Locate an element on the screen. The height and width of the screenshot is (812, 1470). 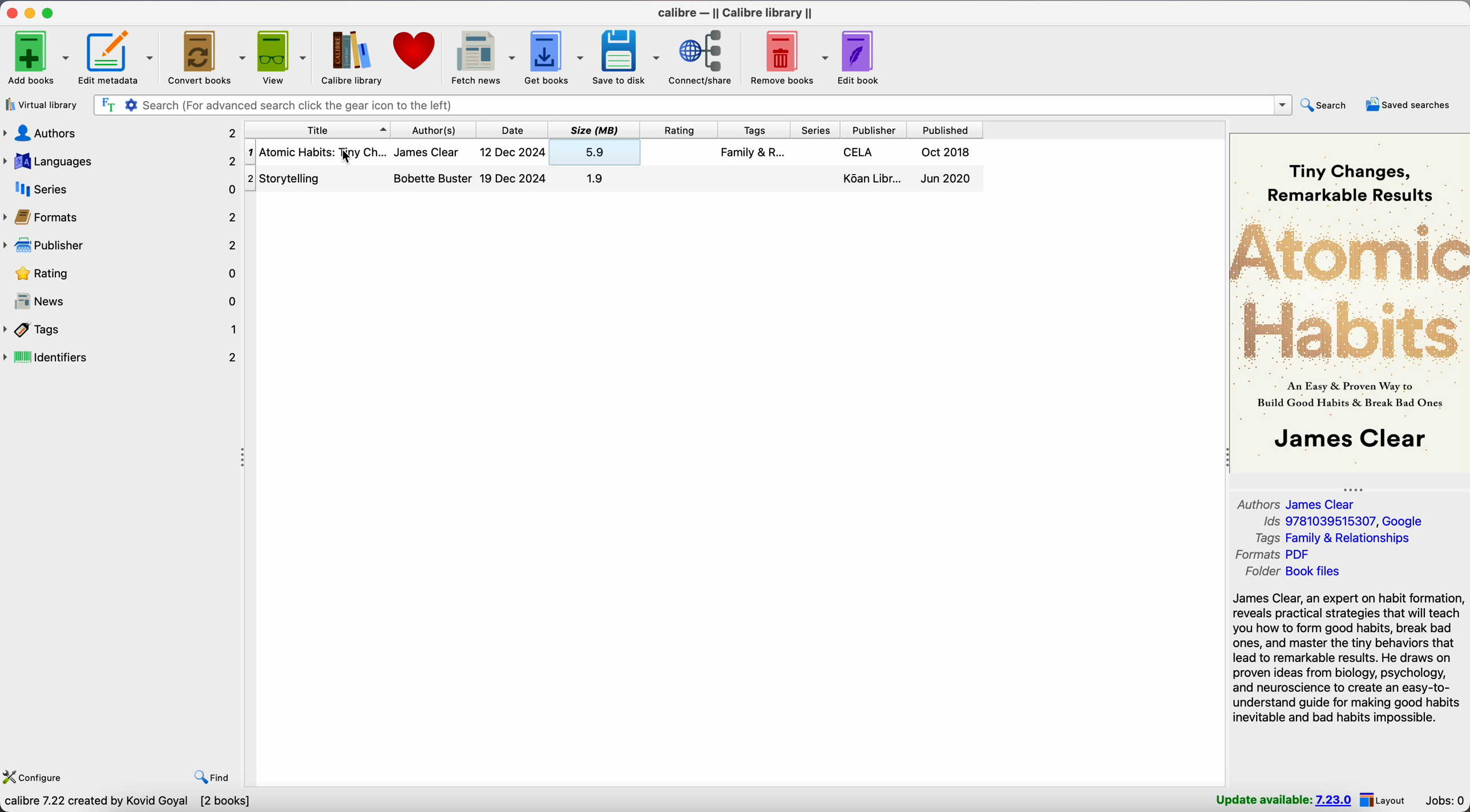
tags is located at coordinates (753, 130).